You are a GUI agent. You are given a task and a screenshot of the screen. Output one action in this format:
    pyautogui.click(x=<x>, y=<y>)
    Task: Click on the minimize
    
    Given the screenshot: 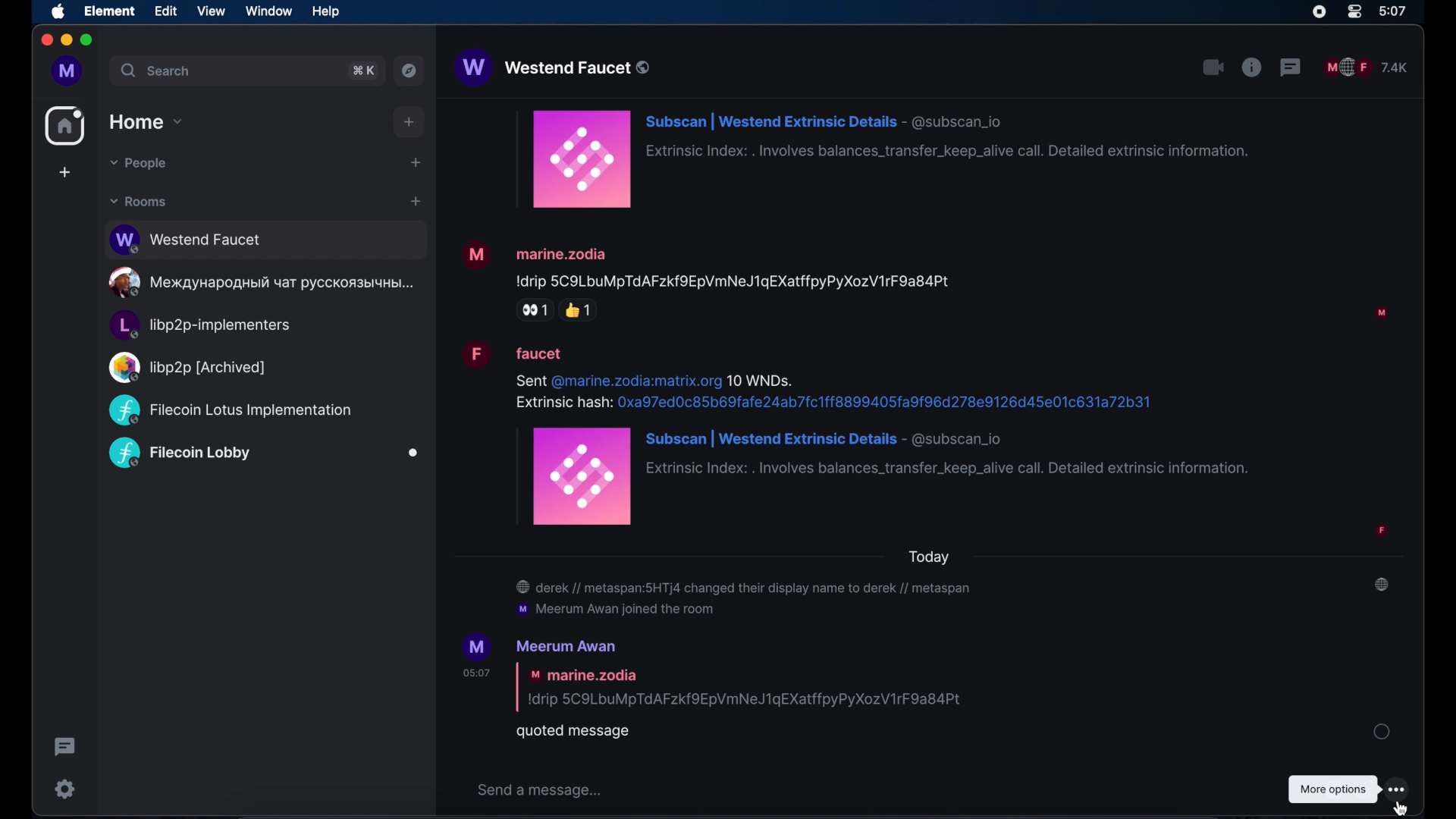 What is the action you would take?
    pyautogui.click(x=66, y=40)
    